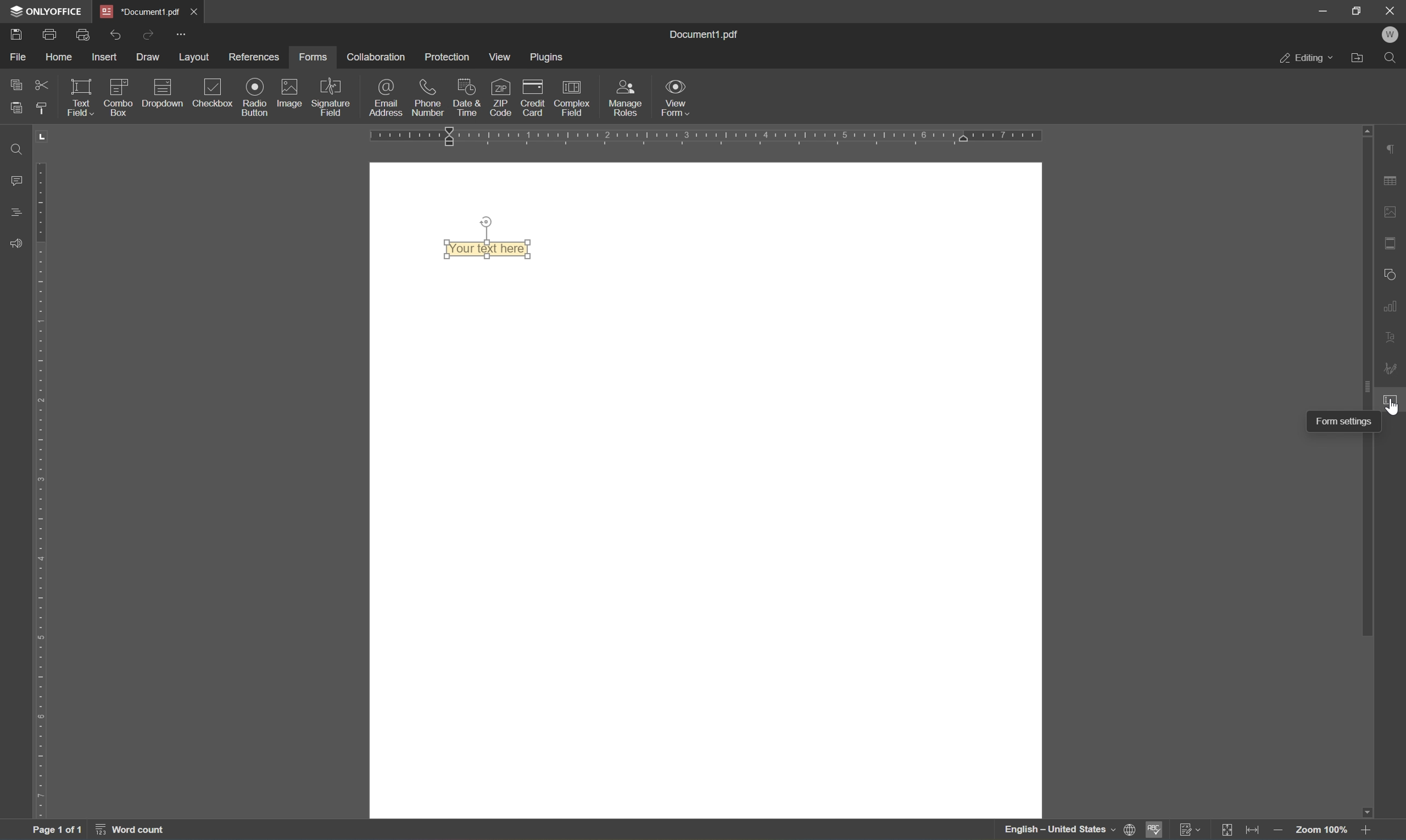 This screenshot has height=840, width=1406. What do you see at coordinates (14, 85) in the screenshot?
I see `copy` at bounding box center [14, 85].